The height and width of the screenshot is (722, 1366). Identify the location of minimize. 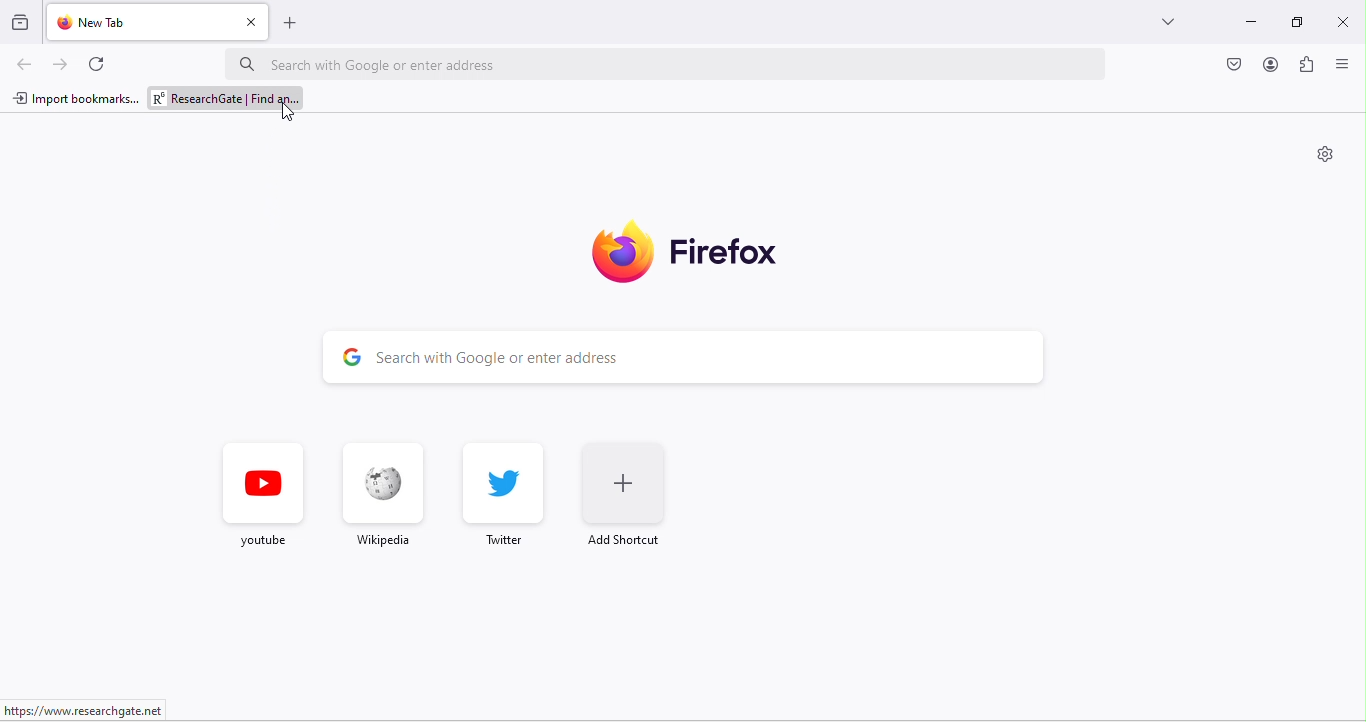
(1246, 24).